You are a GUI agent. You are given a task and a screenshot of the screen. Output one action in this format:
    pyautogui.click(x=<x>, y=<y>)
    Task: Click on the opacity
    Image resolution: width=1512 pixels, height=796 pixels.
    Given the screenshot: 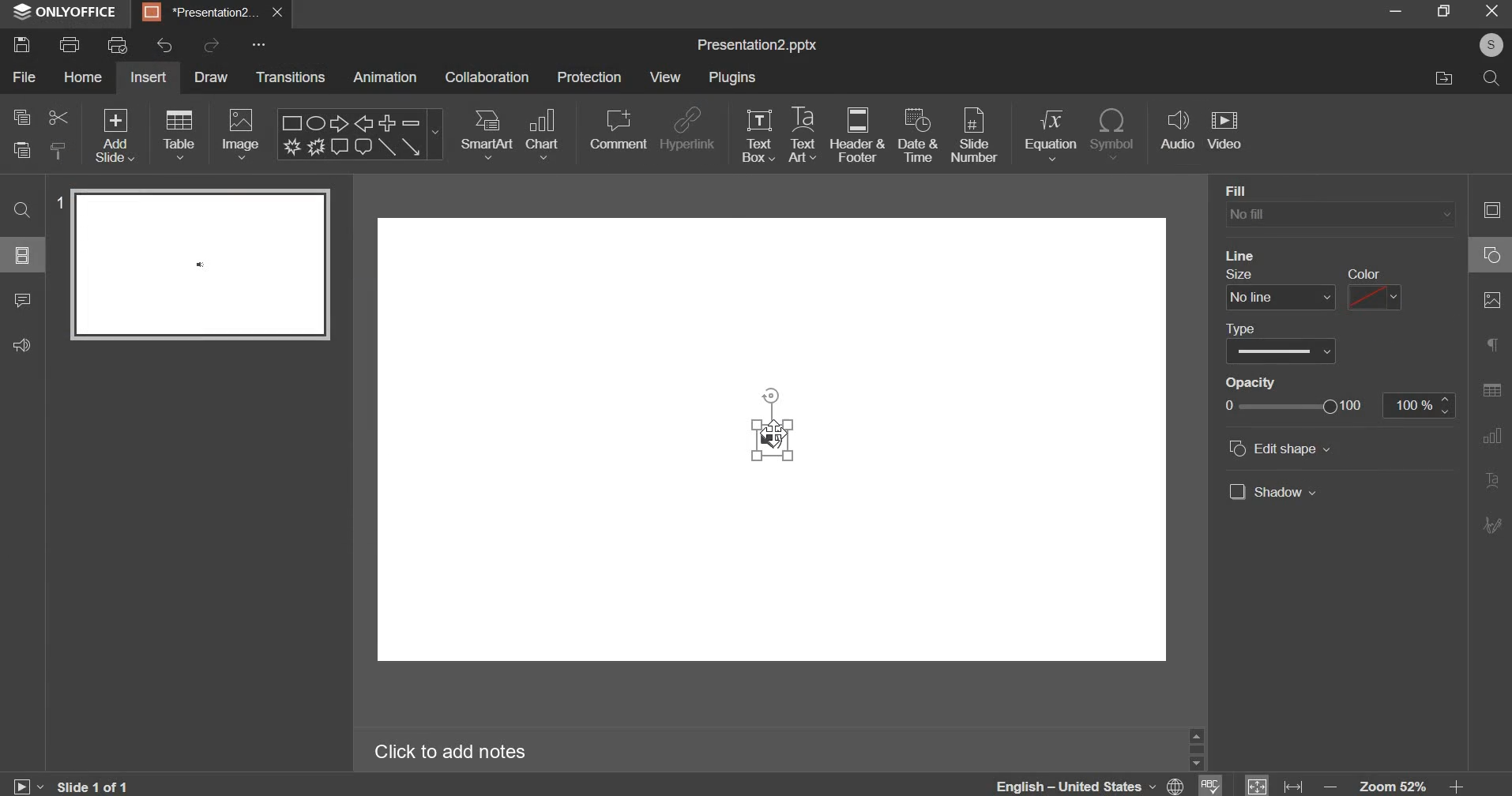 What is the action you would take?
    pyautogui.click(x=1251, y=383)
    